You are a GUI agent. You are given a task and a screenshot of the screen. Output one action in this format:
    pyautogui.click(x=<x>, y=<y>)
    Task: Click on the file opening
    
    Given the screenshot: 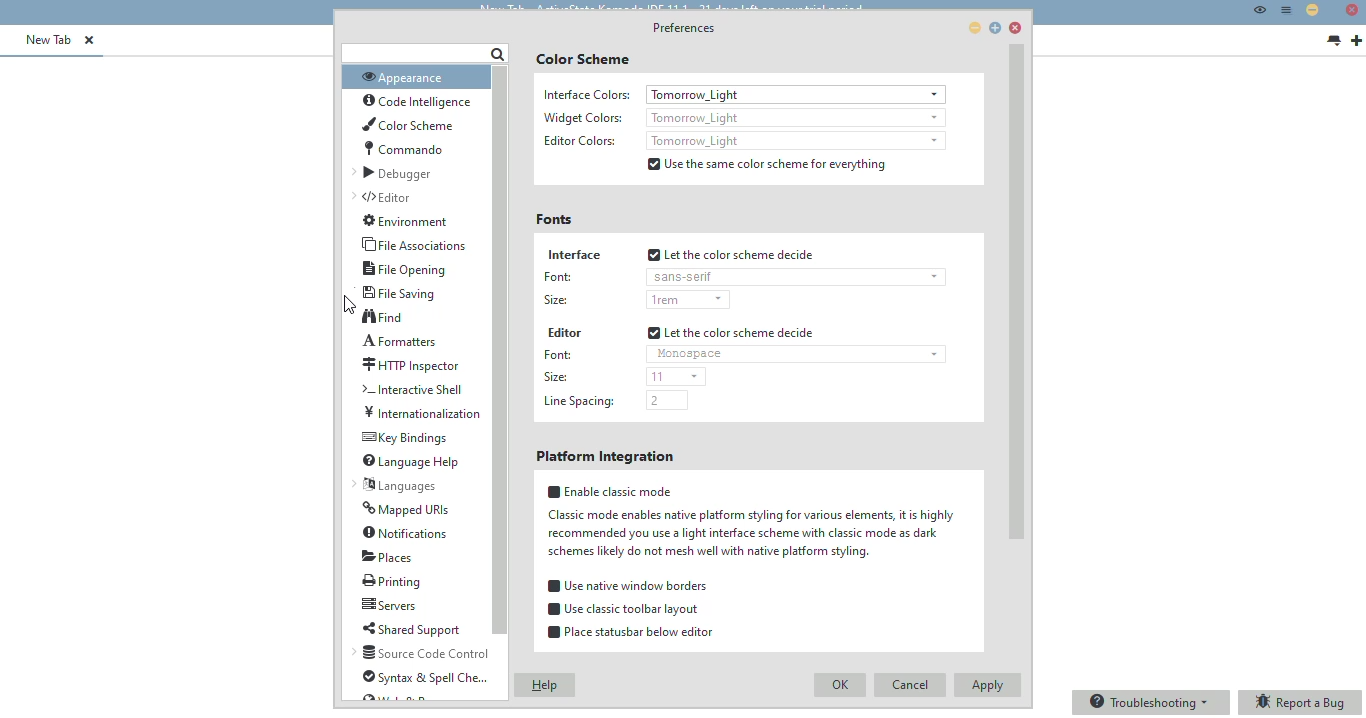 What is the action you would take?
    pyautogui.click(x=403, y=268)
    